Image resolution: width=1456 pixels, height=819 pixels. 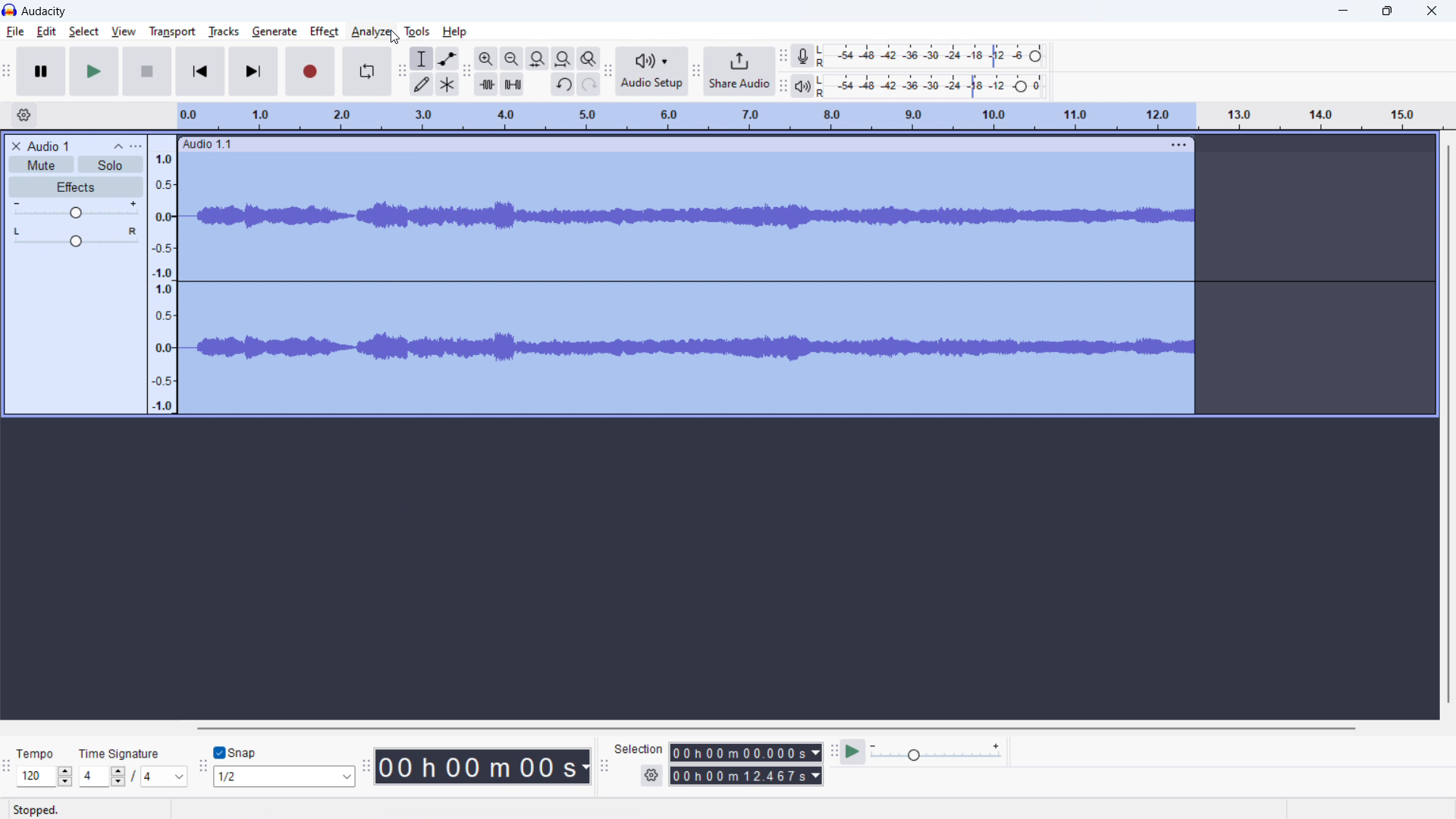 I want to click on select, so click(x=84, y=32).